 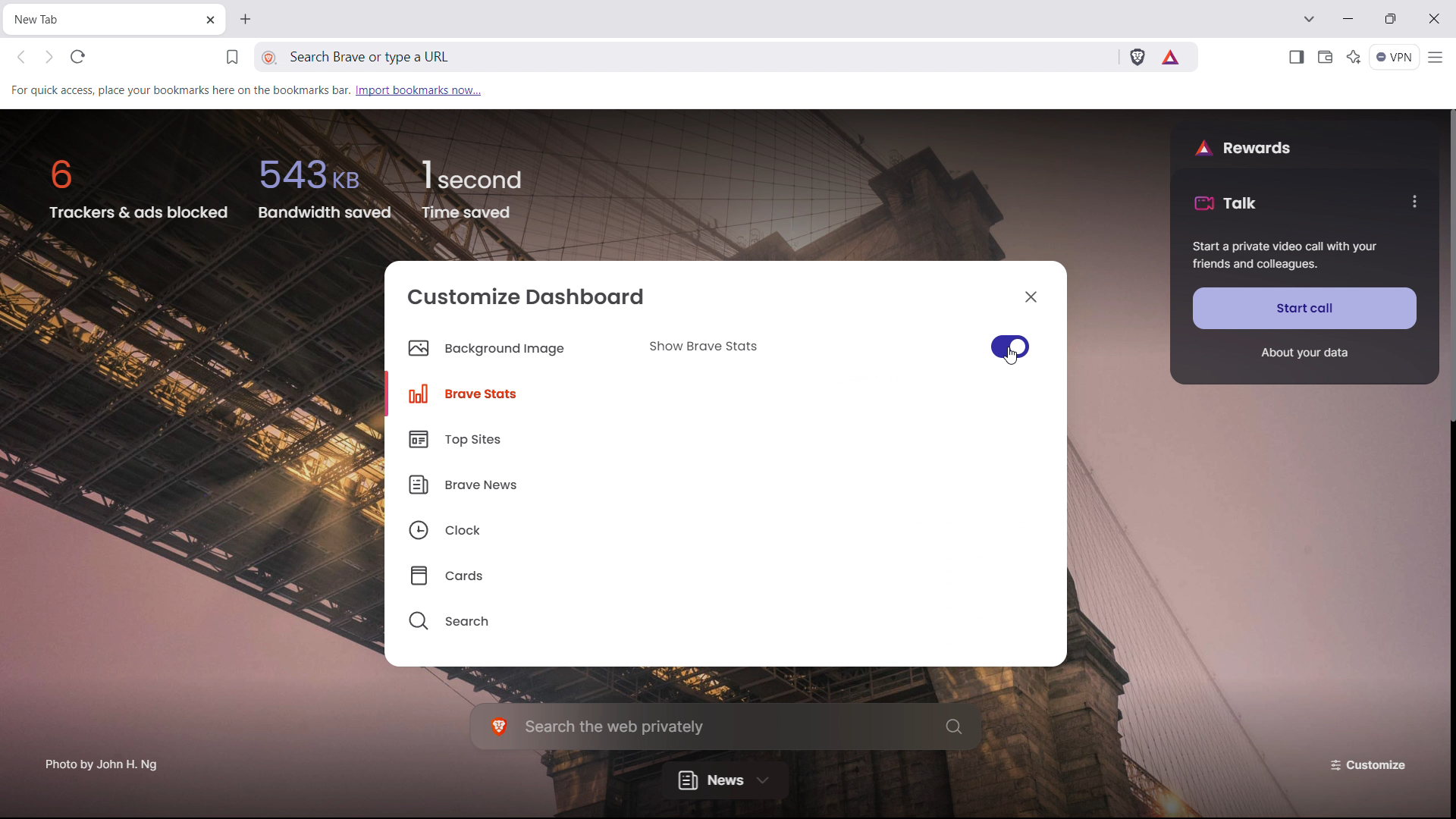 What do you see at coordinates (596, 57) in the screenshot?
I see `search brave or type a URL` at bounding box center [596, 57].